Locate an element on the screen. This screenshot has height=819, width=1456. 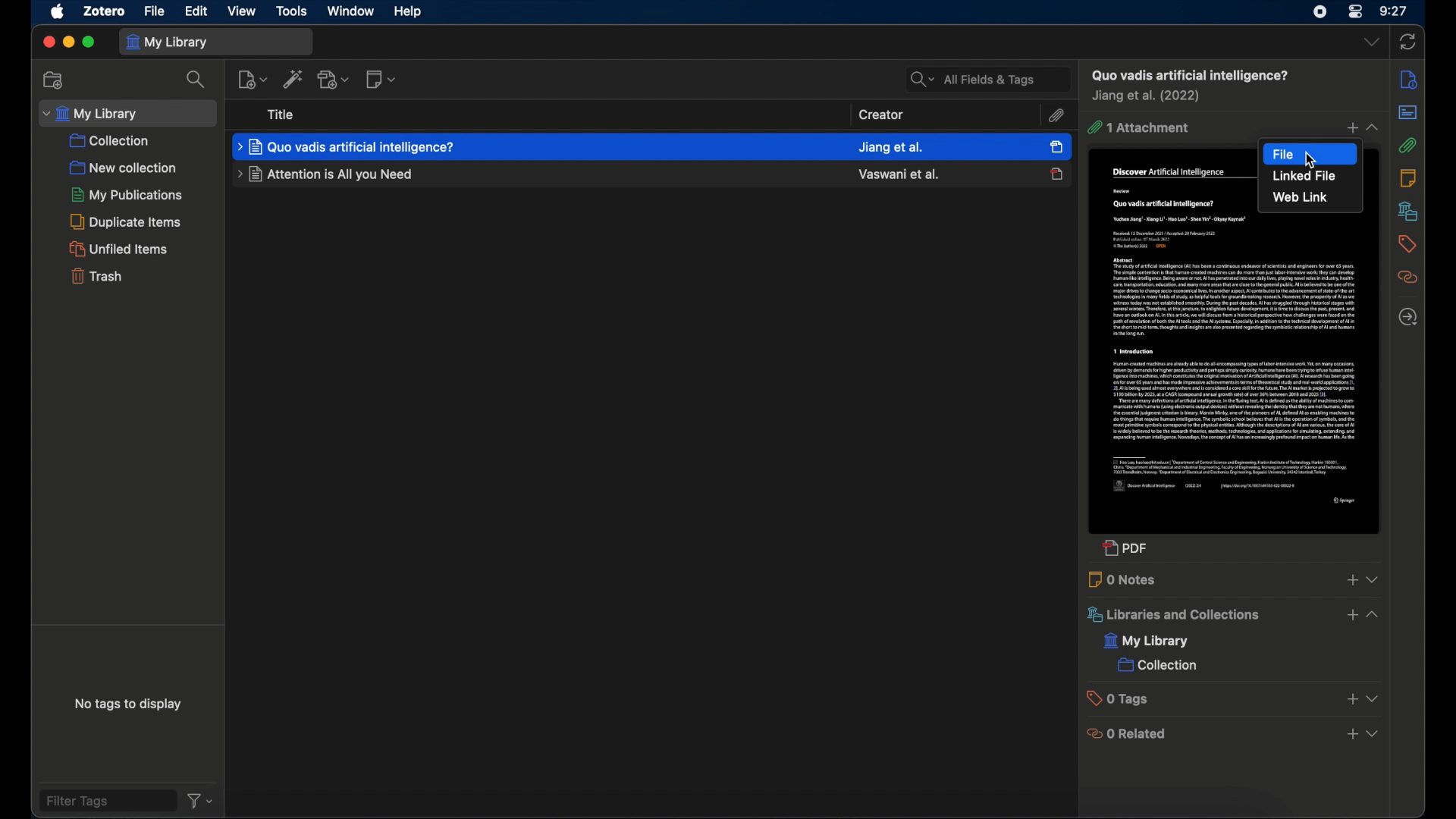
unfilled items is located at coordinates (121, 249).